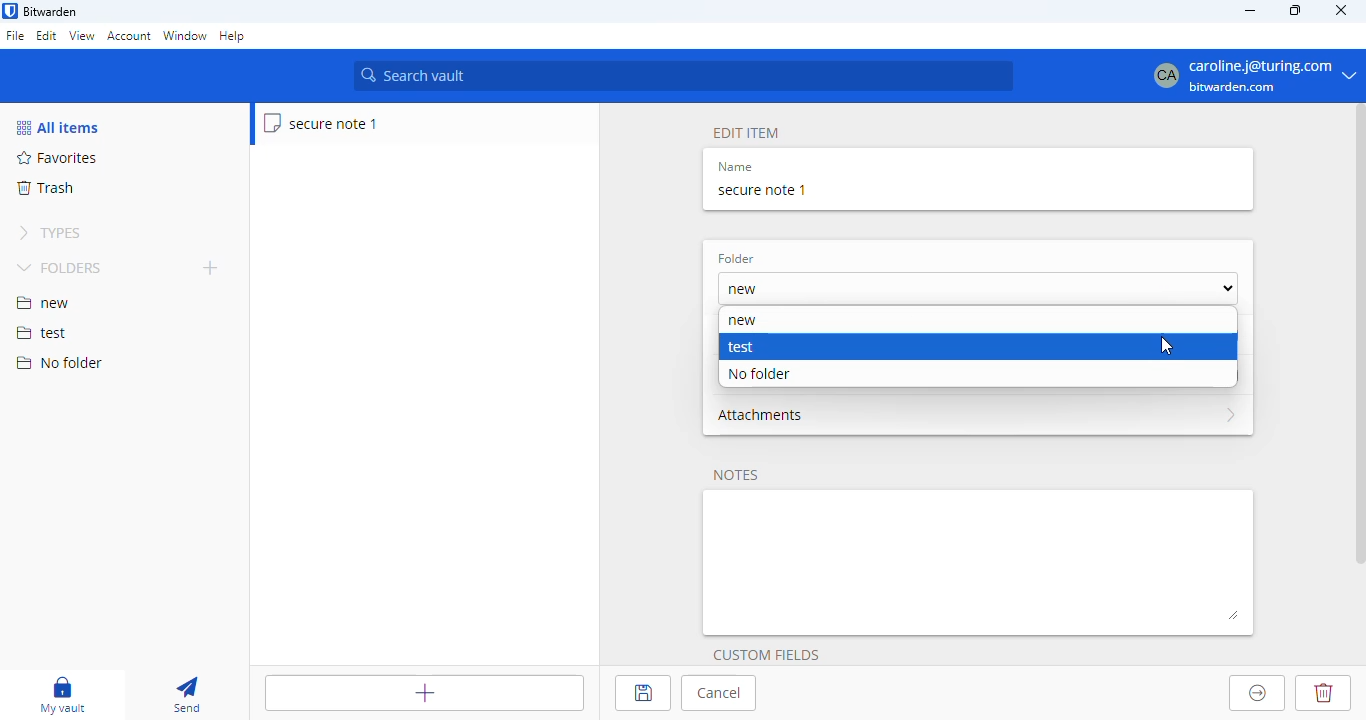  What do you see at coordinates (762, 190) in the screenshot?
I see `secure note 1` at bounding box center [762, 190].